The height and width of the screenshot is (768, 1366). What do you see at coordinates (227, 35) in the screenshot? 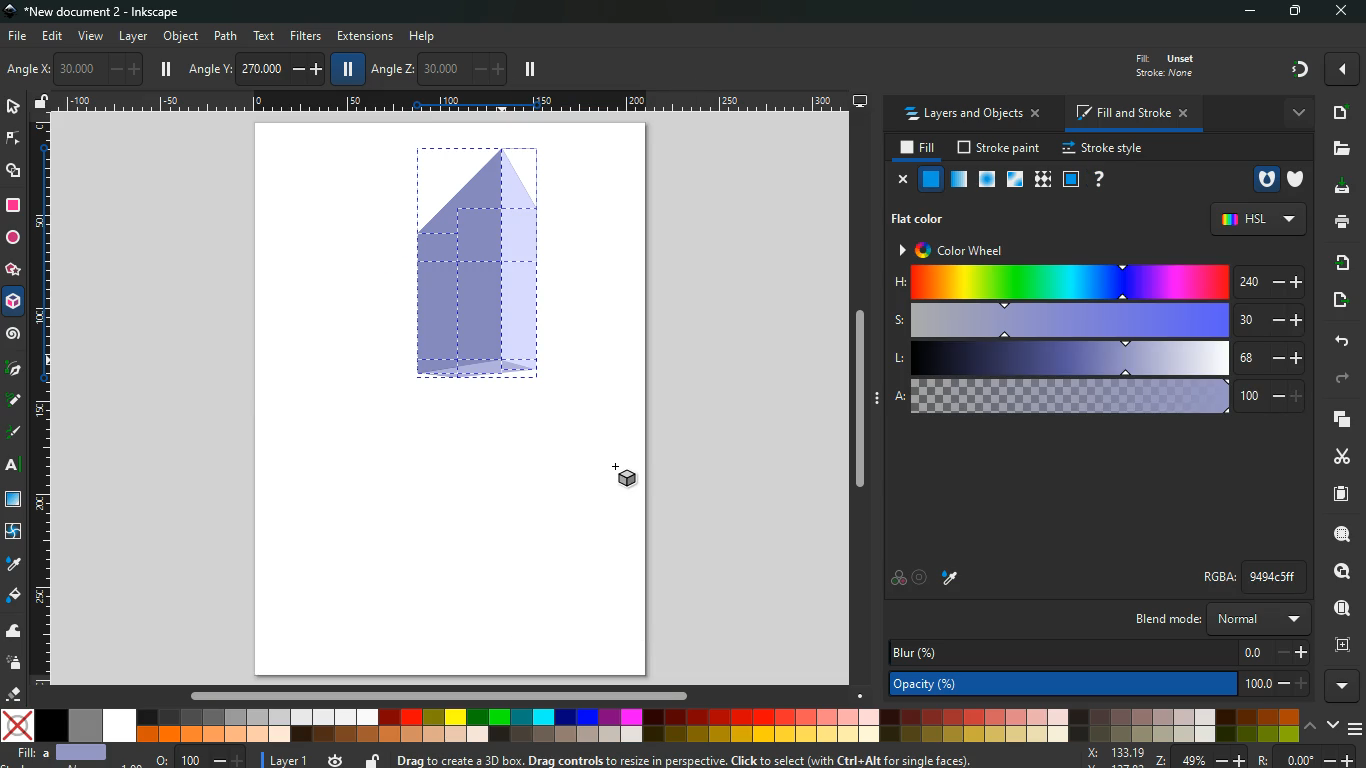
I see `path` at bounding box center [227, 35].